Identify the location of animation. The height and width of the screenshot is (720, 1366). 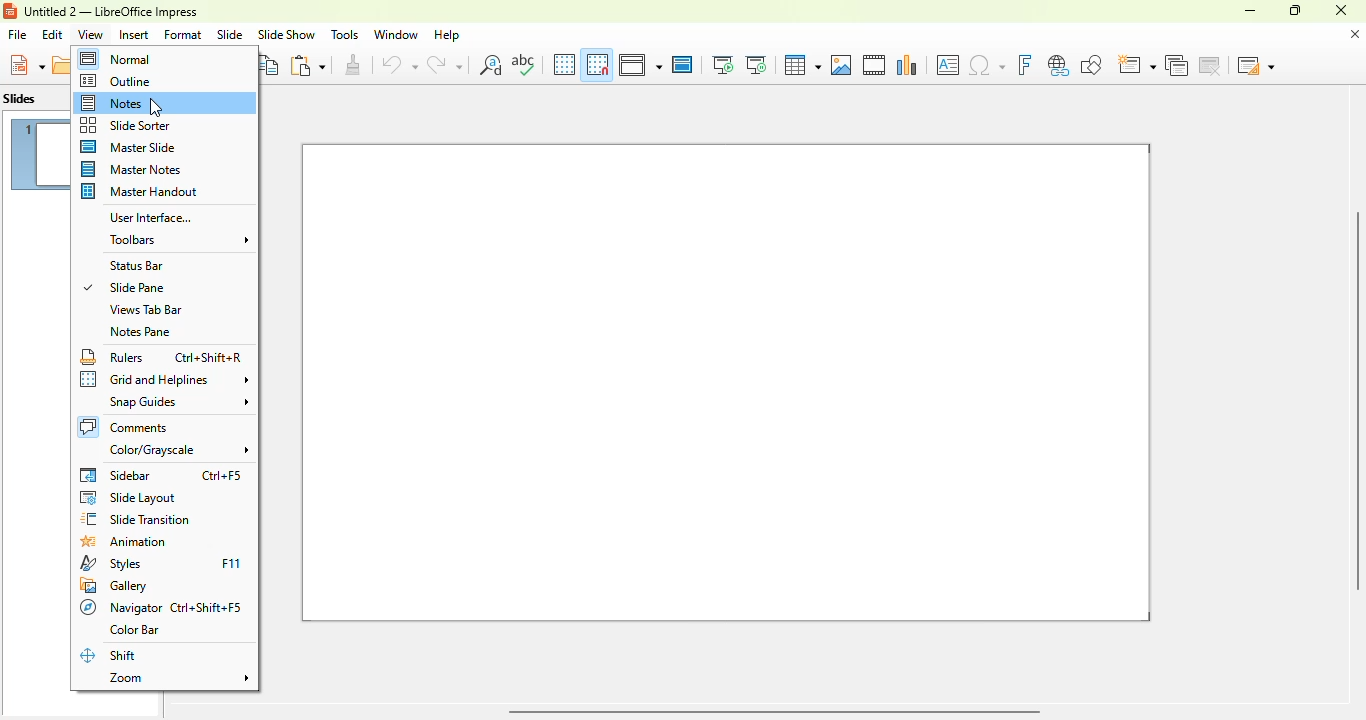
(125, 542).